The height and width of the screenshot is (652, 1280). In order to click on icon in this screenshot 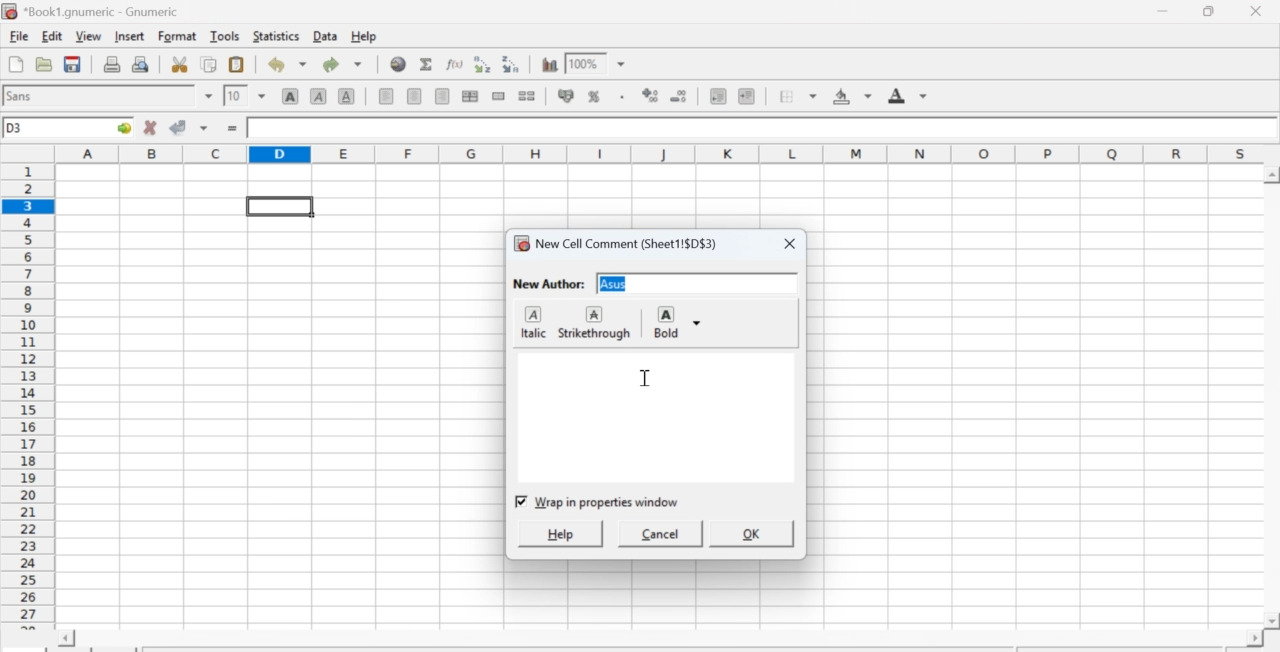, I will do `click(10, 11)`.